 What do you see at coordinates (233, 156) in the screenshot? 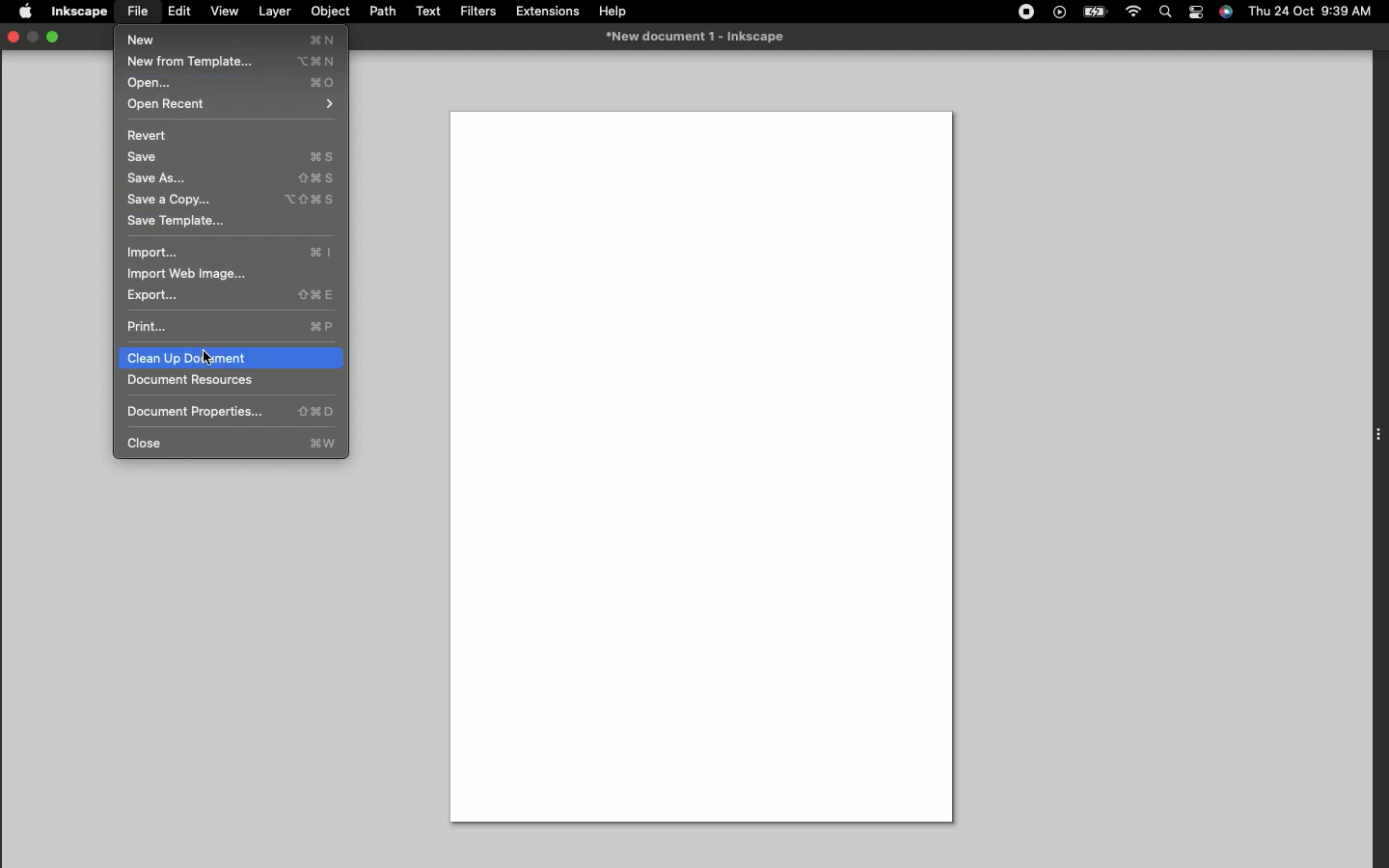
I see `Save` at bounding box center [233, 156].